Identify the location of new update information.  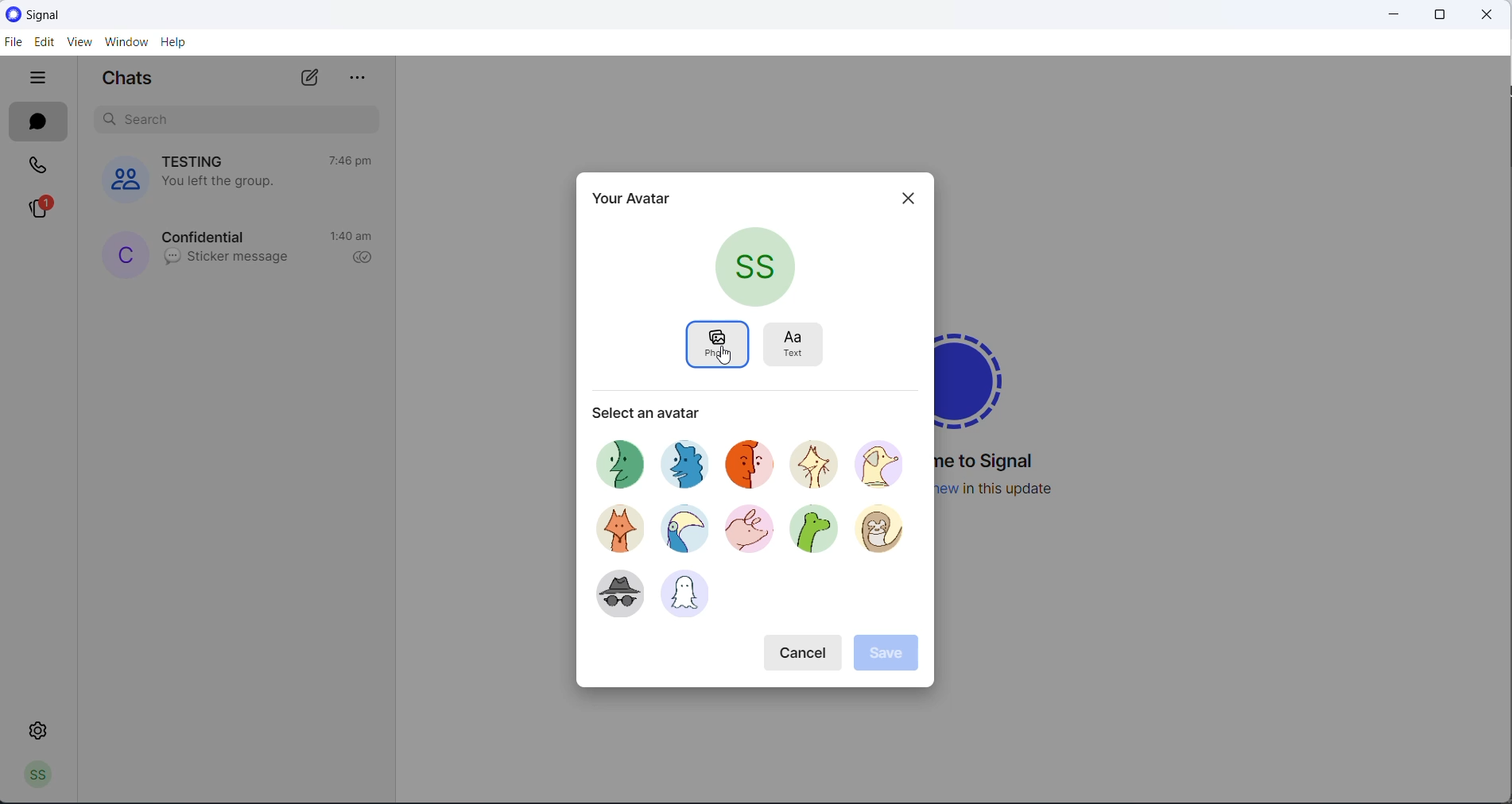
(1008, 489).